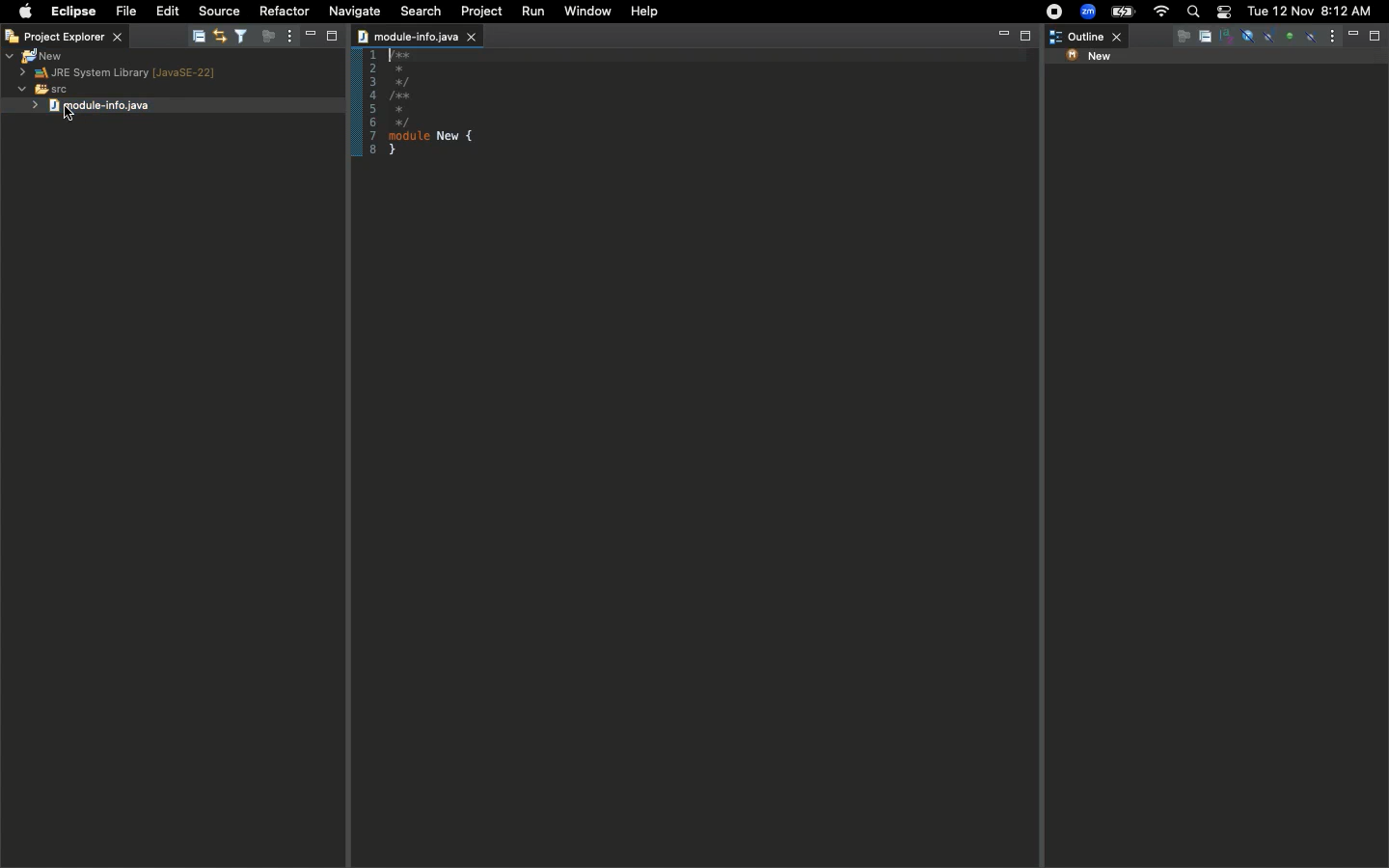 The image size is (1389, 868). What do you see at coordinates (1247, 35) in the screenshot?
I see `` at bounding box center [1247, 35].